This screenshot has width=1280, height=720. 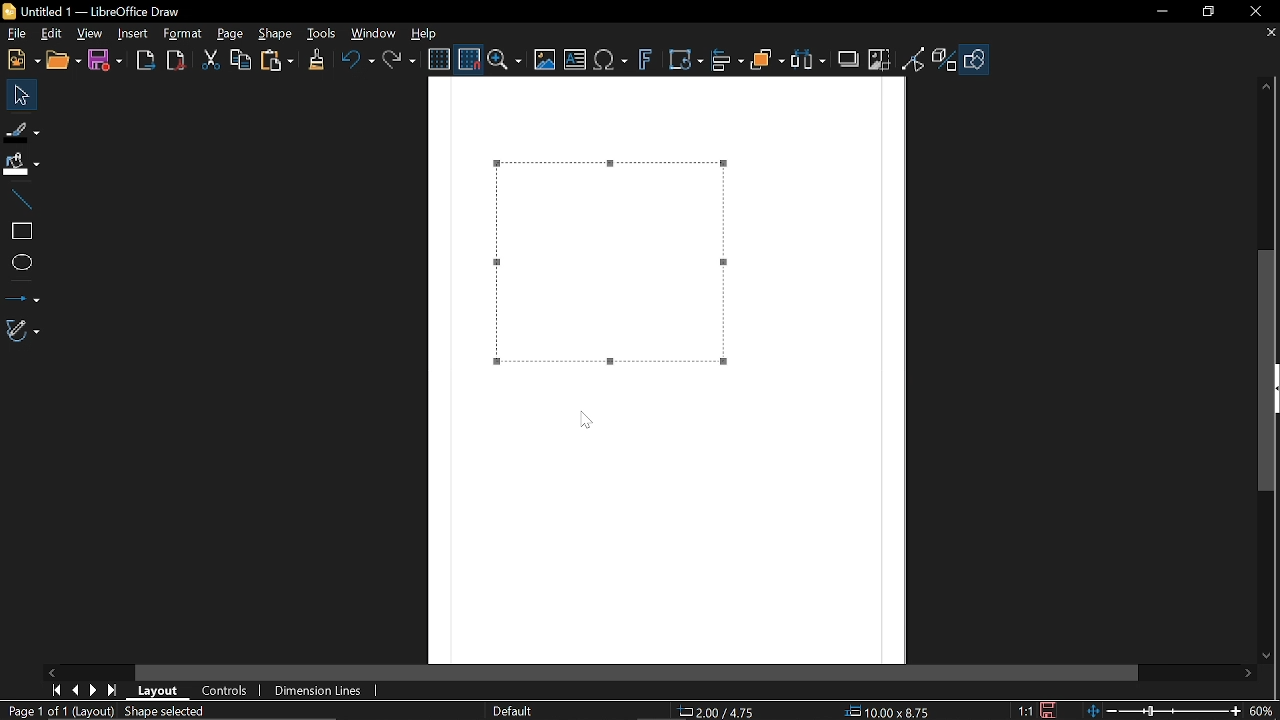 What do you see at coordinates (275, 35) in the screenshot?
I see `Shape` at bounding box center [275, 35].